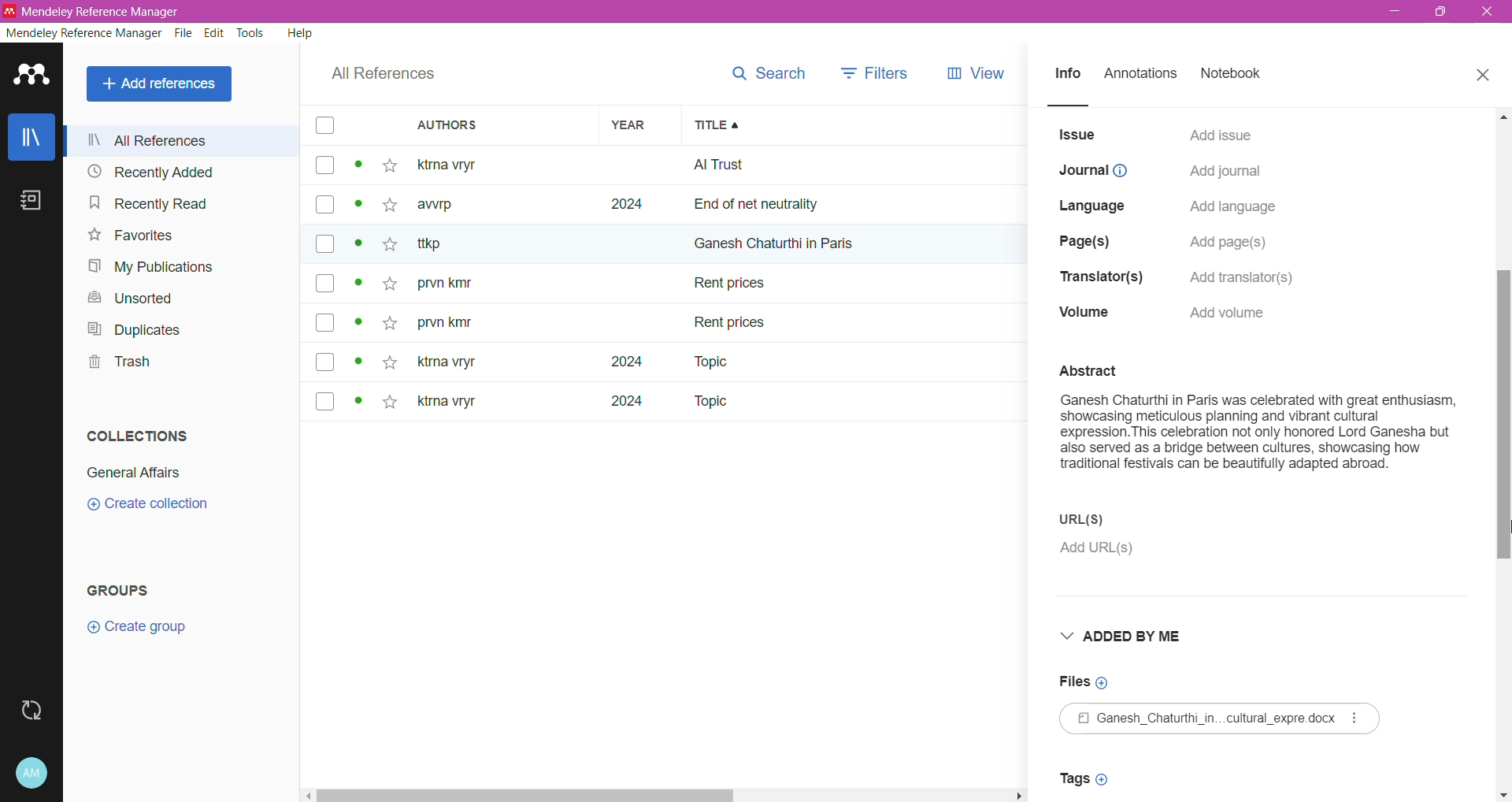 The height and width of the screenshot is (802, 1512). What do you see at coordinates (157, 268) in the screenshot?
I see `My Publications` at bounding box center [157, 268].